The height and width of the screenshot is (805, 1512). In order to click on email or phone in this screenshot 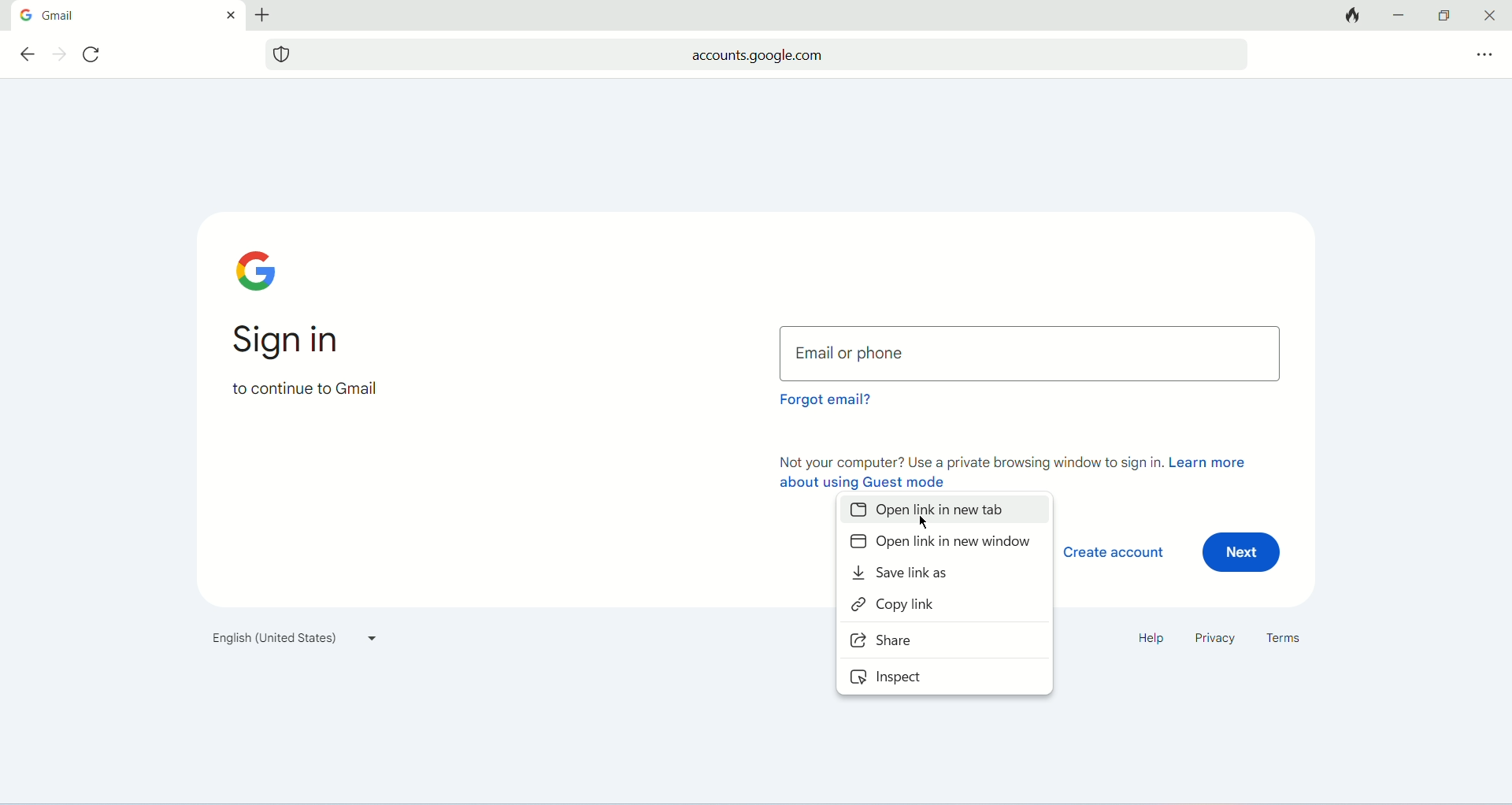, I will do `click(1032, 352)`.